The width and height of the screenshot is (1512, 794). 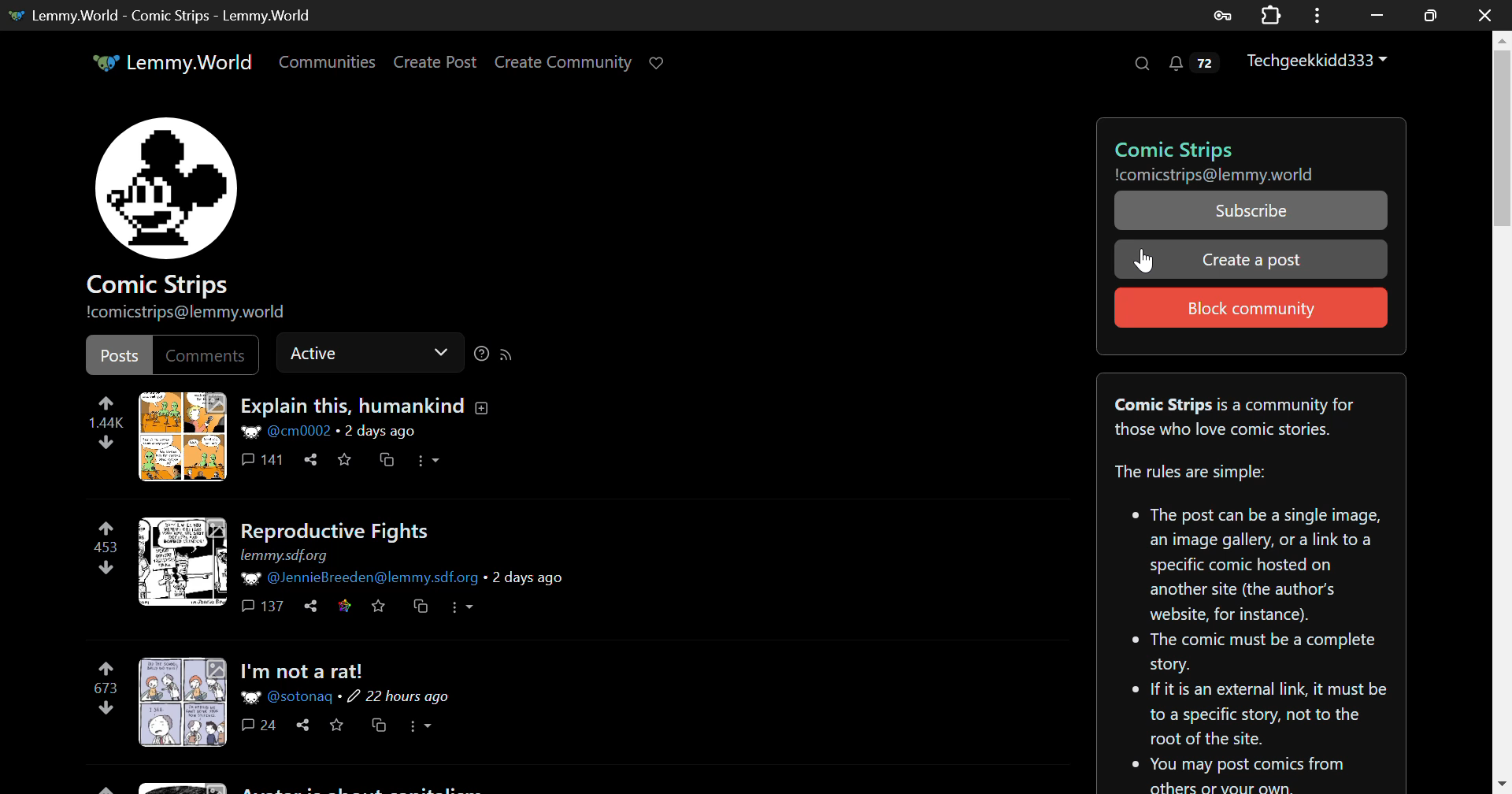 I want to click on Create a post, so click(x=1252, y=258).